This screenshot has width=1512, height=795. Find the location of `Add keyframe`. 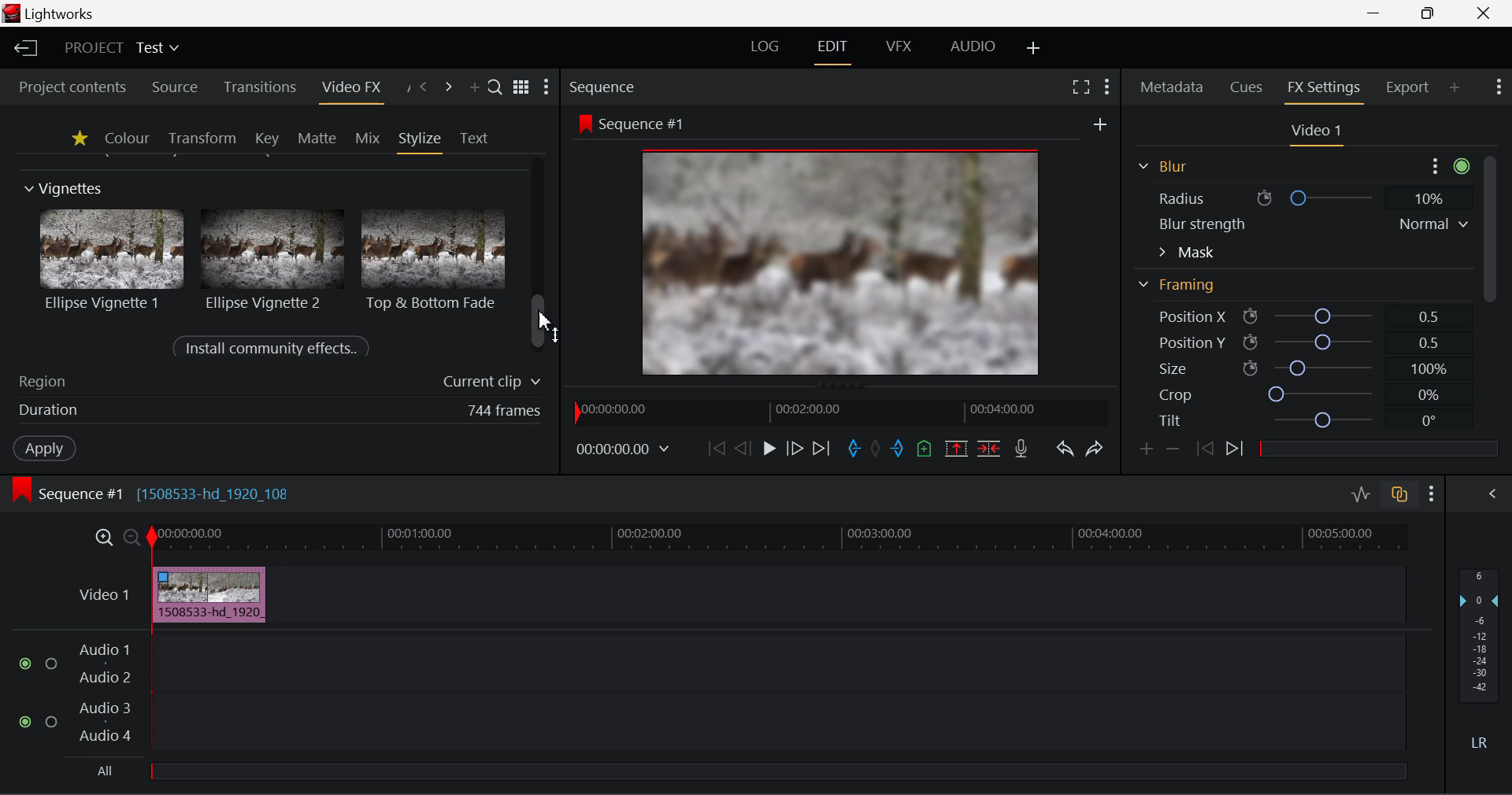

Add keyframe is located at coordinates (1145, 449).